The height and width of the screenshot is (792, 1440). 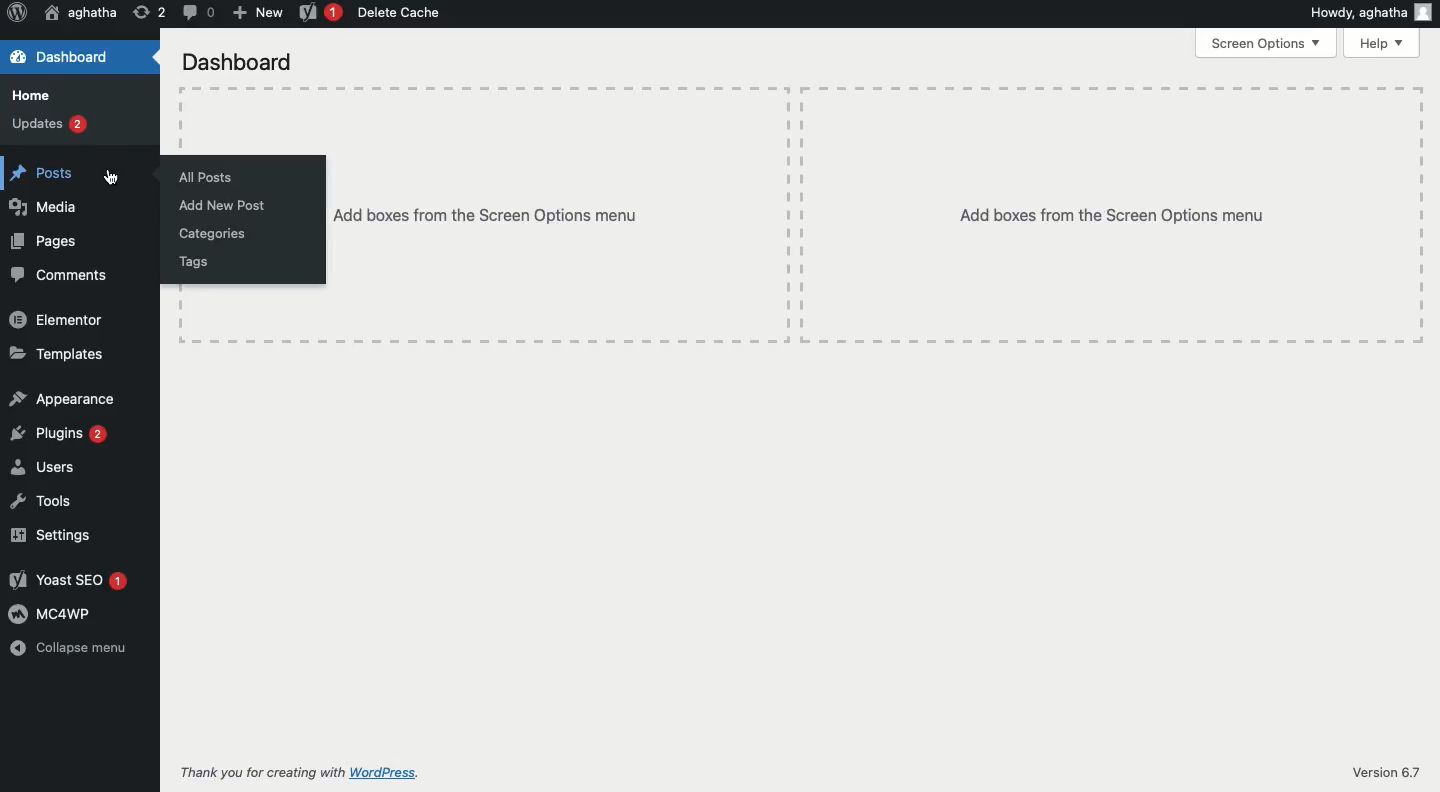 What do you see at coordinates (61, 353) in the screenshot?
I see `Templates` at bounding box center [61, 353].